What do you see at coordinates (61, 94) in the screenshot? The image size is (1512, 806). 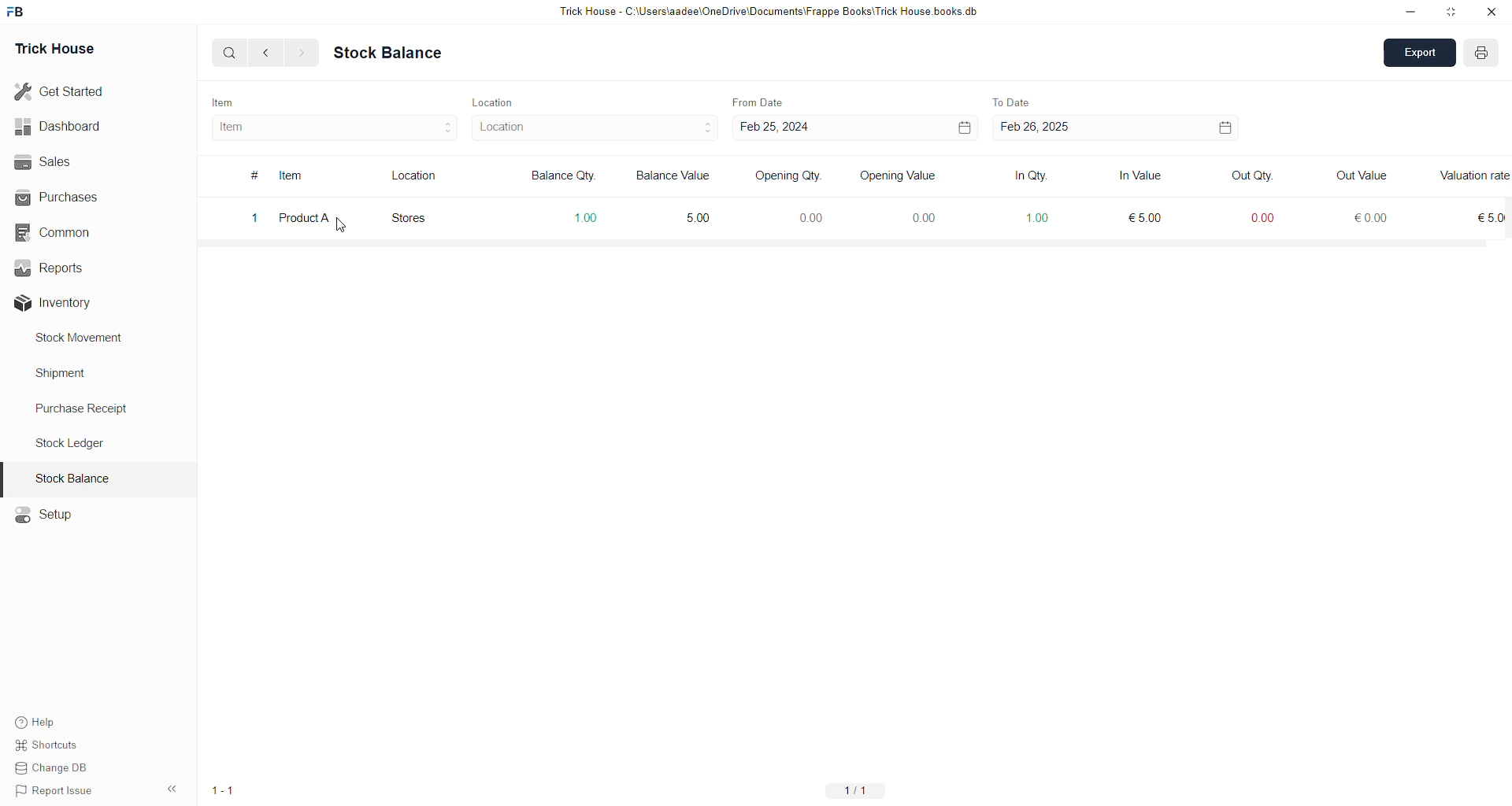 I see `Get Started` at bounding box center [61, 94].